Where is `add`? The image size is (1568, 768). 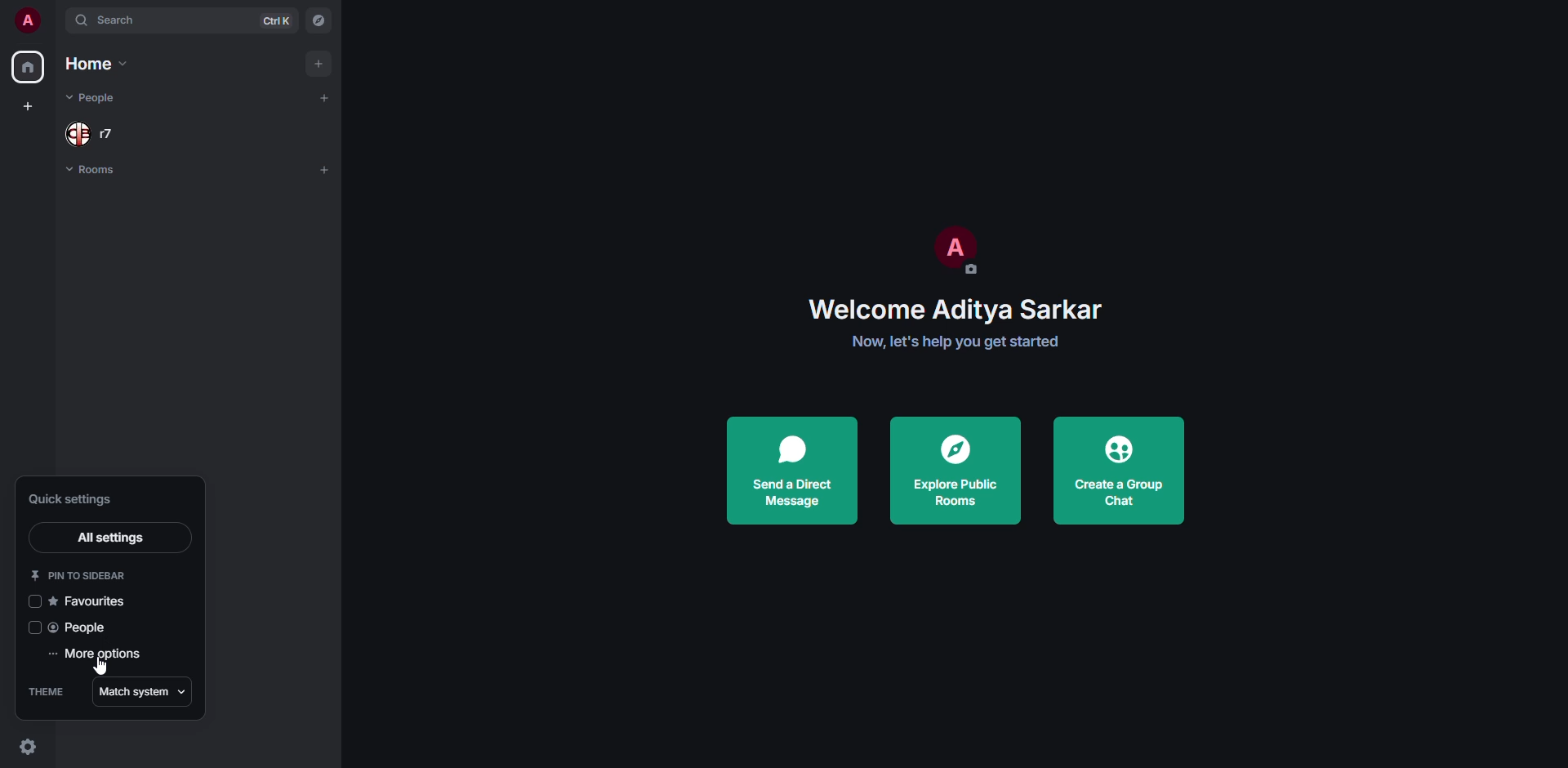
add is located at coordinates (318, 98).